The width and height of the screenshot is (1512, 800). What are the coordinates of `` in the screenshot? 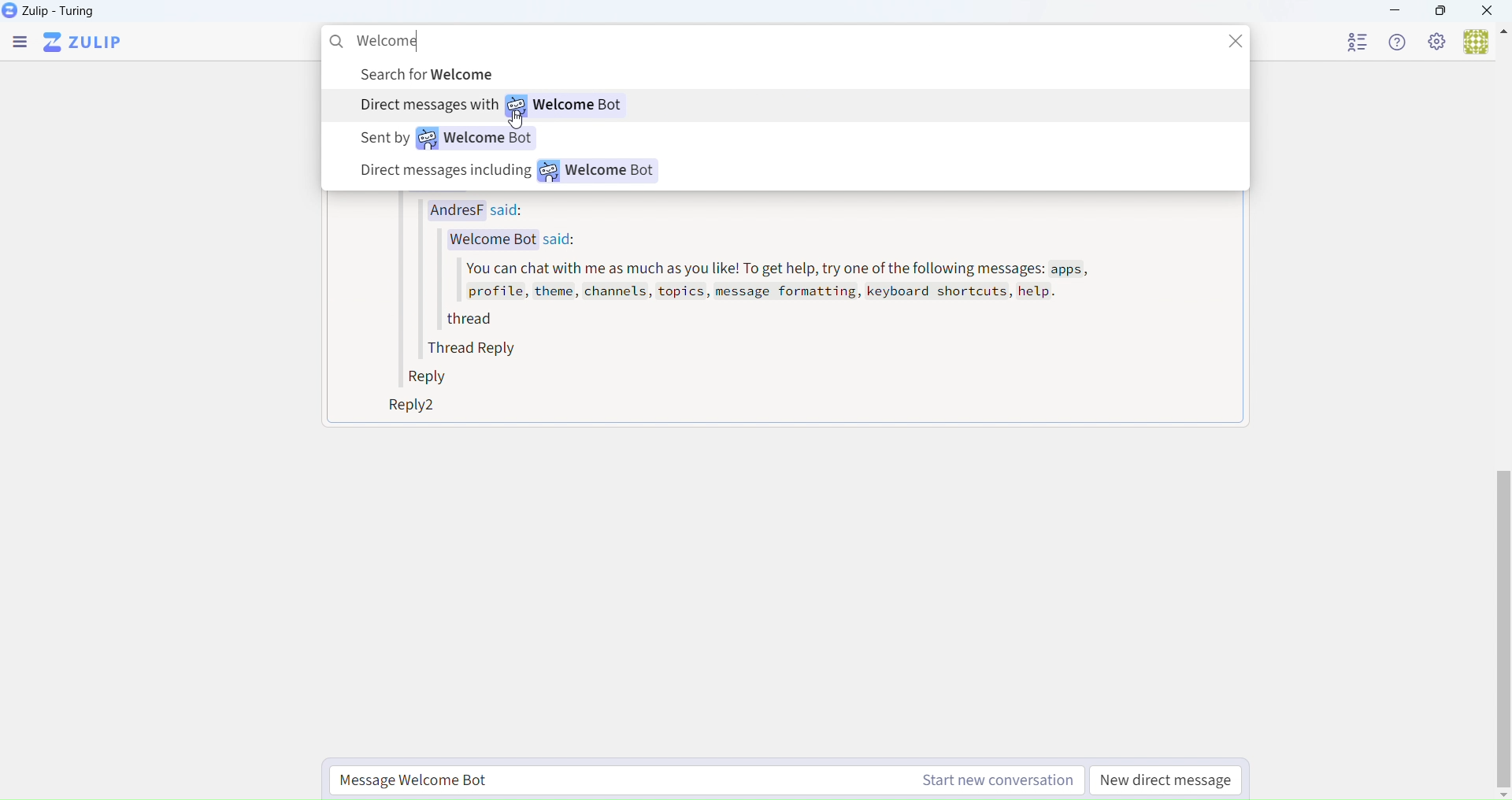 It's located at (1390, 10).